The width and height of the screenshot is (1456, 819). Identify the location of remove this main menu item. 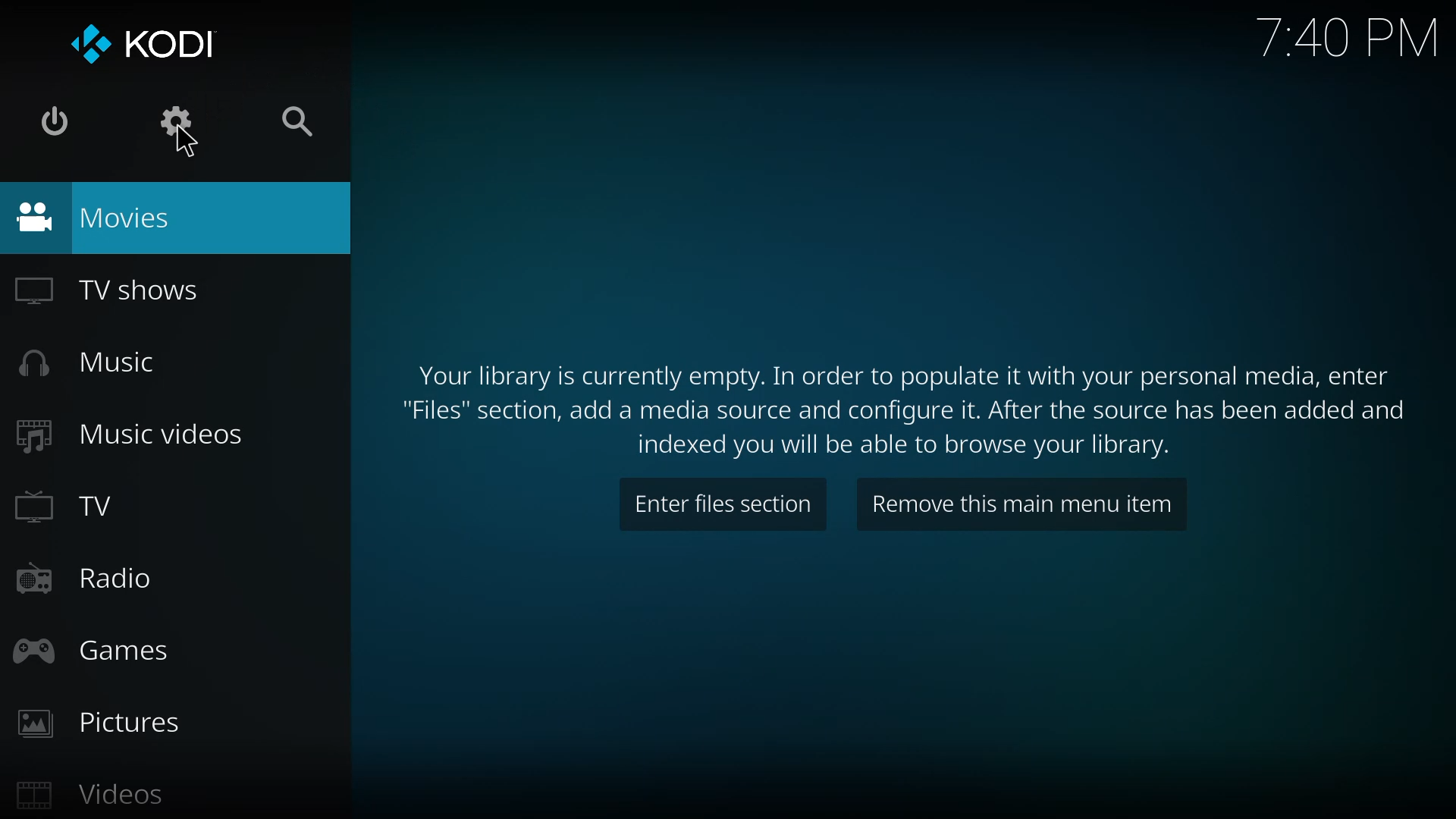
(1018, 506).